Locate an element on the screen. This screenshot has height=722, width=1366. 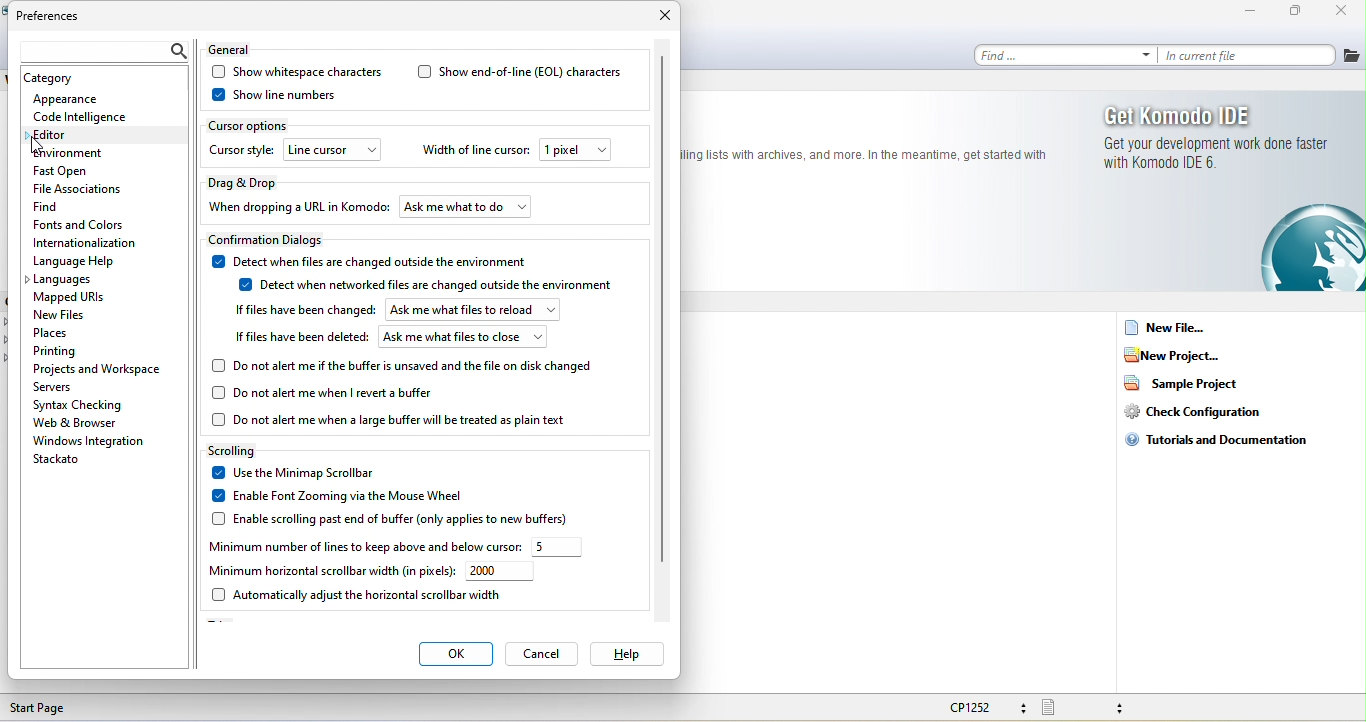
languages is located at coordinates (79, 280).